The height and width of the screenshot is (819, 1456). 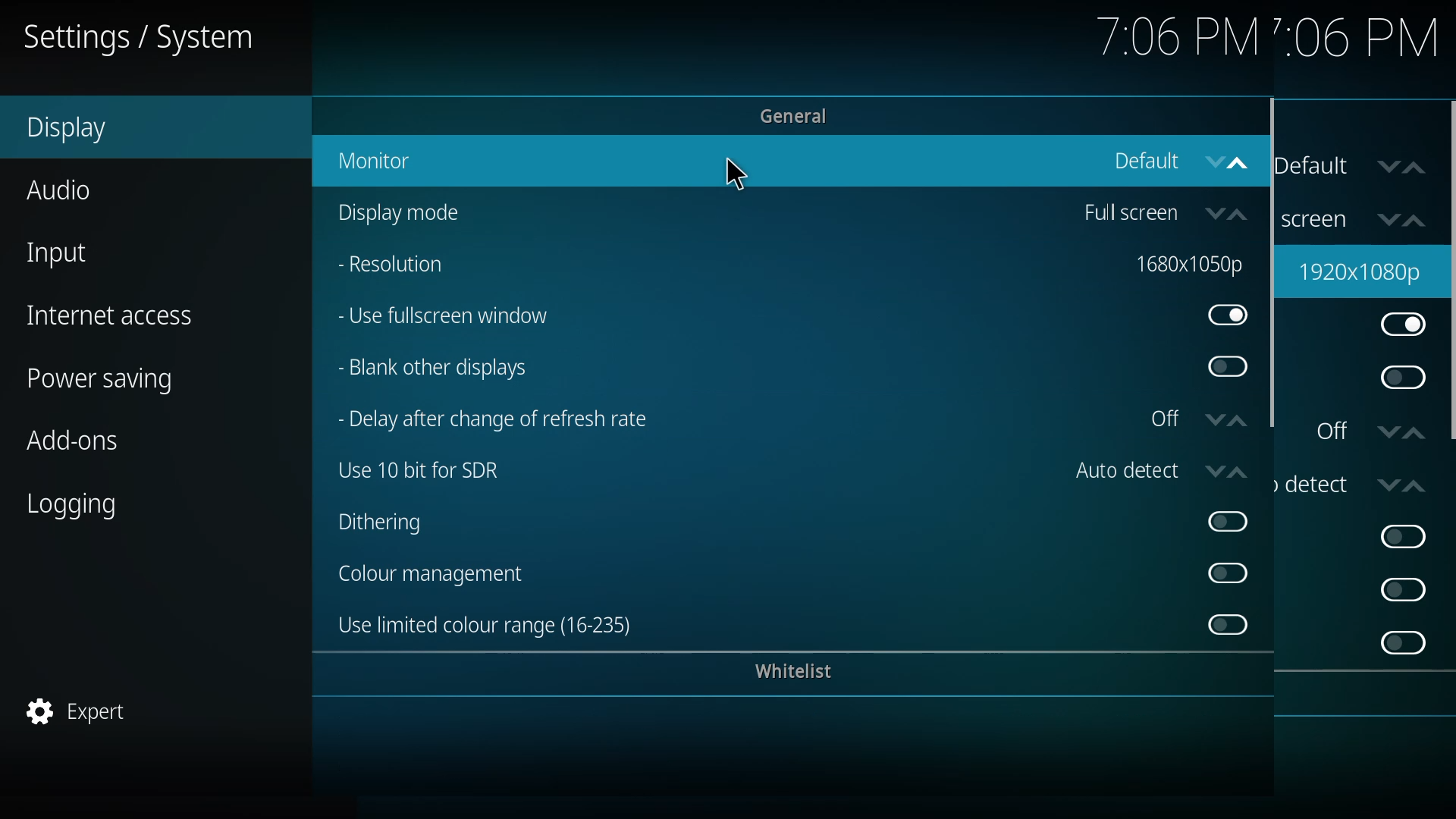 What do you see at coordinates (1358, 482) in the screenshot?
I see `auto detect` at bounding box center [1358, 482].